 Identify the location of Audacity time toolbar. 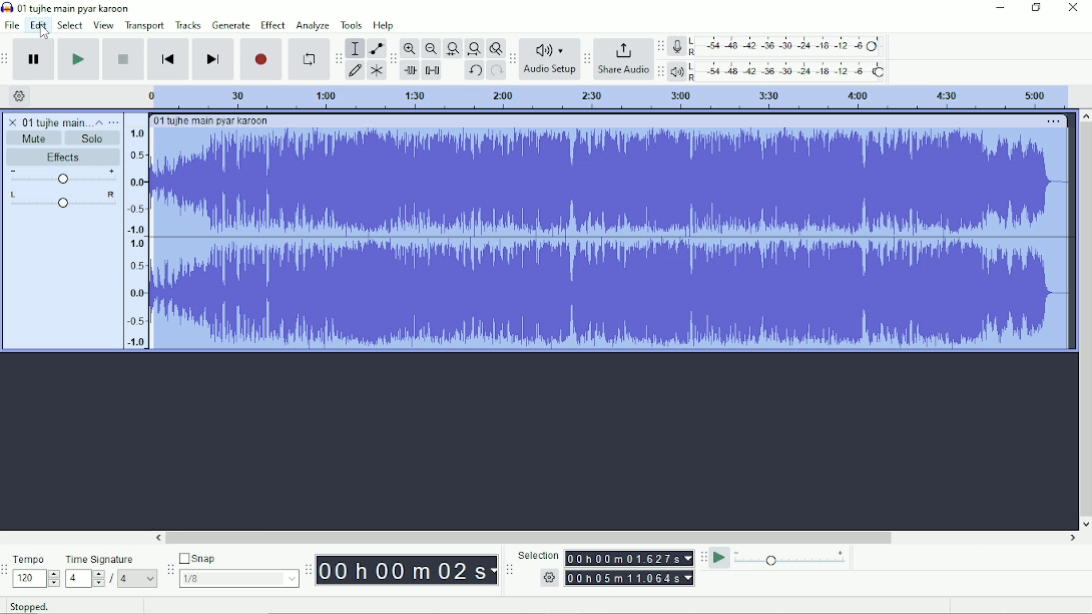
(308, 569).